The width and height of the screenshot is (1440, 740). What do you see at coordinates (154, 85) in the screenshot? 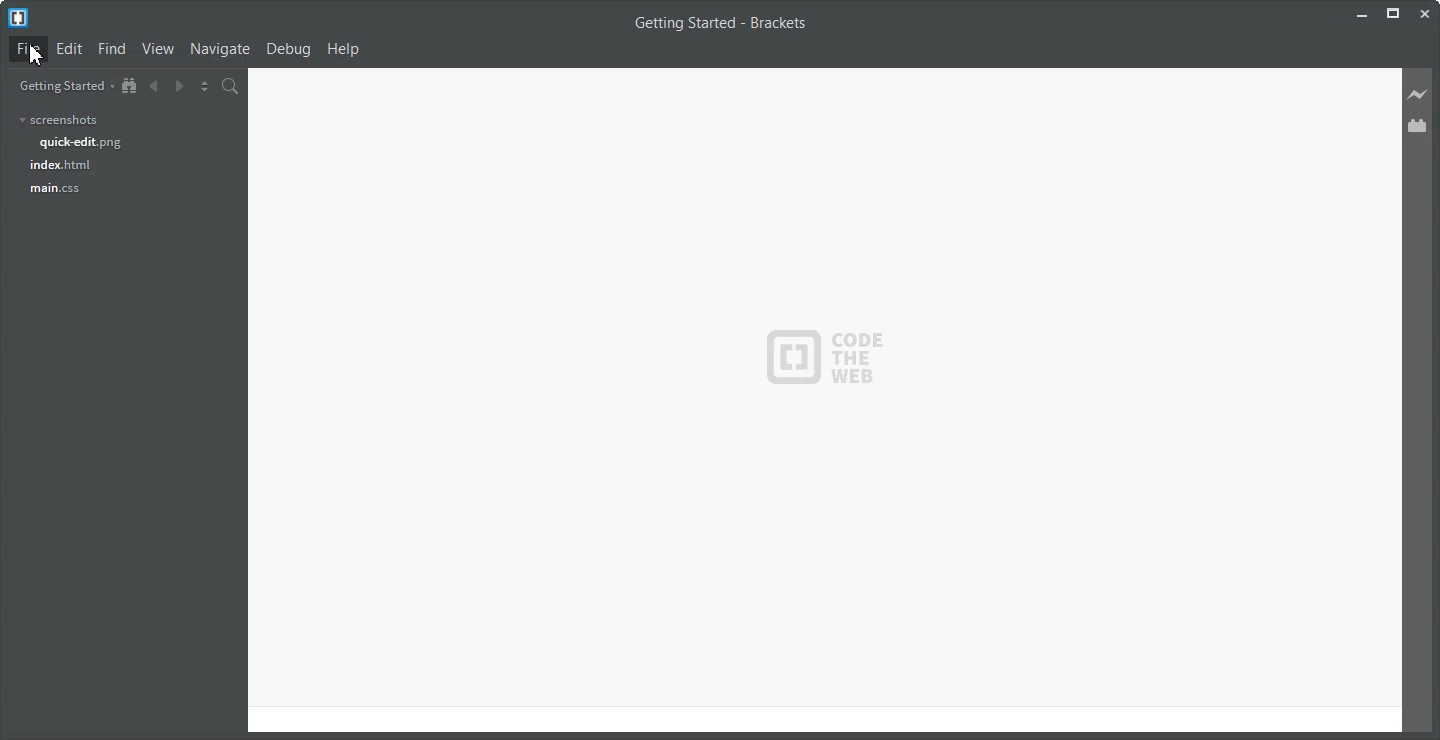
I see `Navigate Backward` at bounding box center [154, 85].